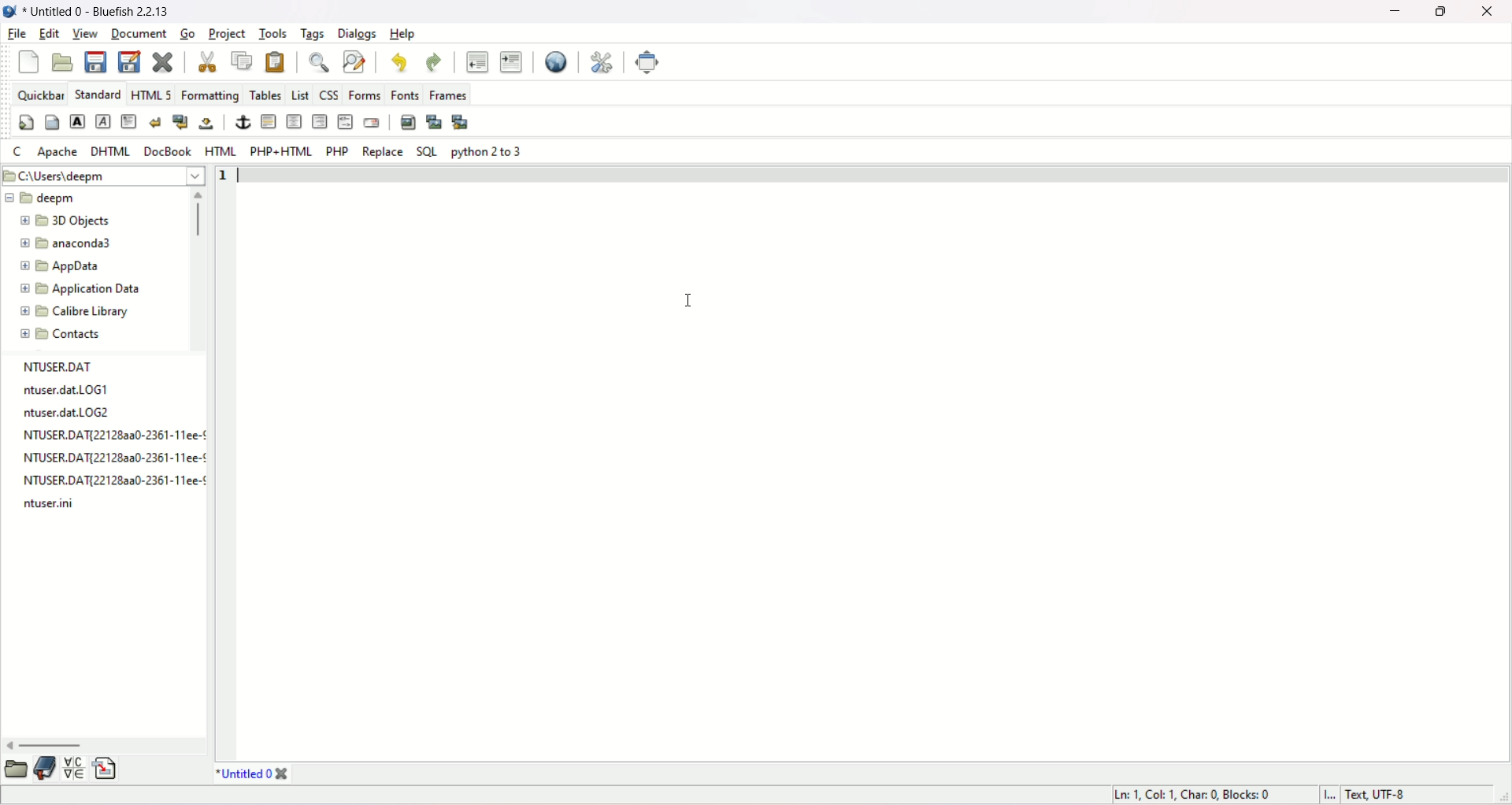 Image resolution: width=1512 pixels, height=805 pixels. I want to click on apache, so click(57, 153).